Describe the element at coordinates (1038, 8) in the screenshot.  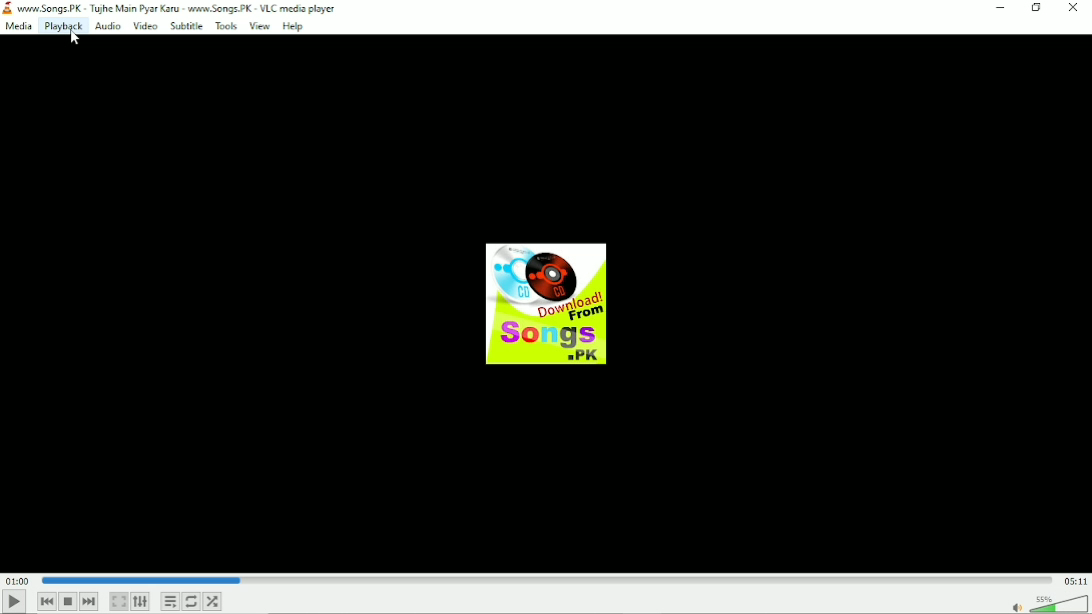
I see `Restore down` at that location.